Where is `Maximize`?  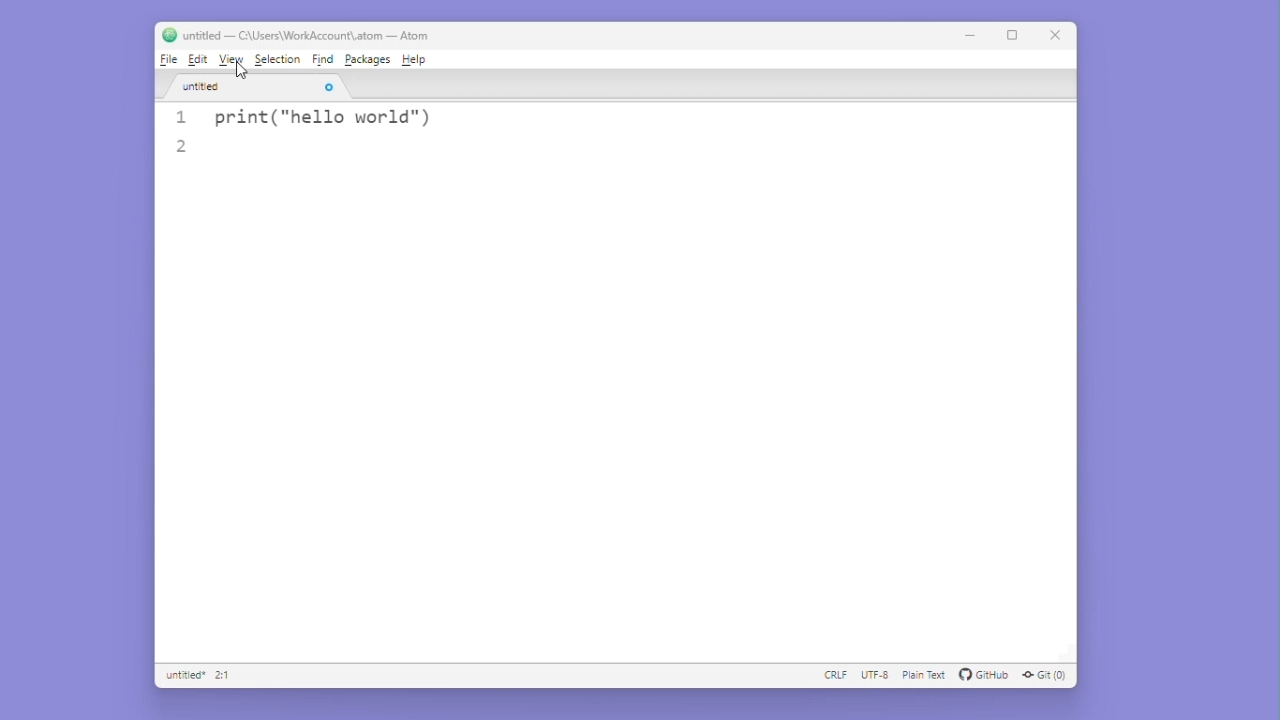 Maximize is located at coordinates (2476, 66).